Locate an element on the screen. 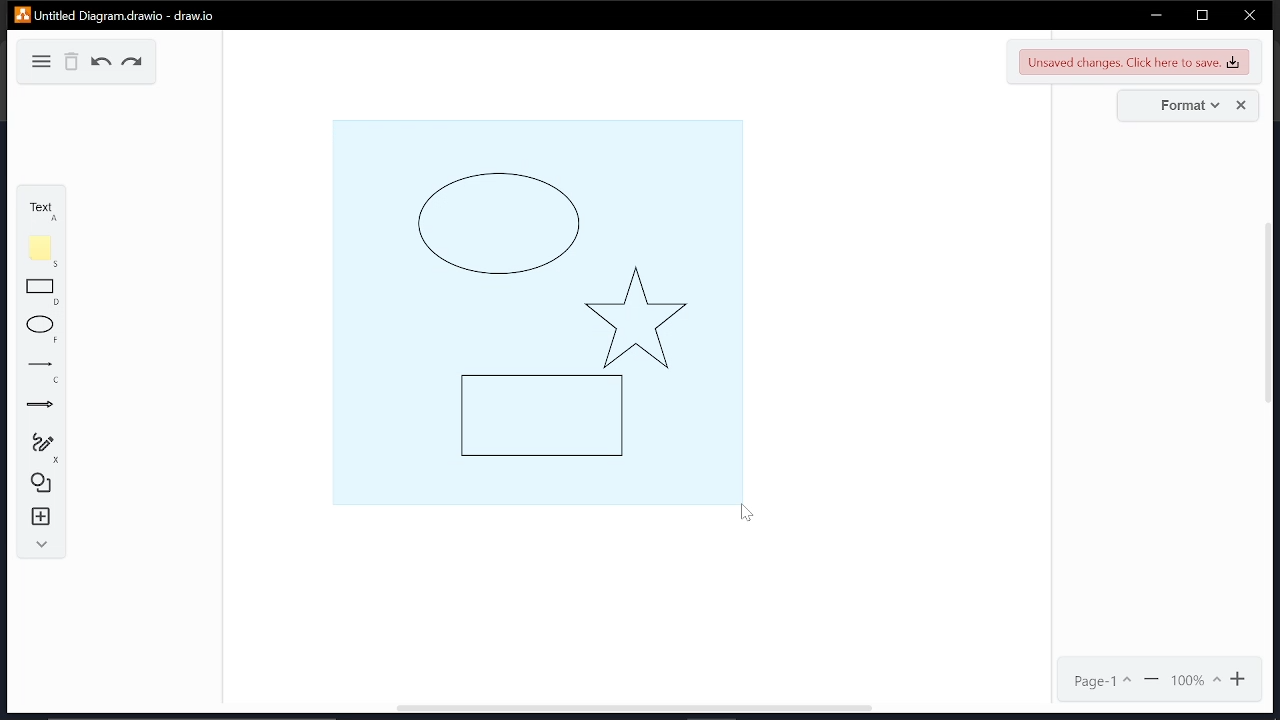 The height and width of the screenshot is (720, 1280). Cursor is located at coordinates (739, 514).